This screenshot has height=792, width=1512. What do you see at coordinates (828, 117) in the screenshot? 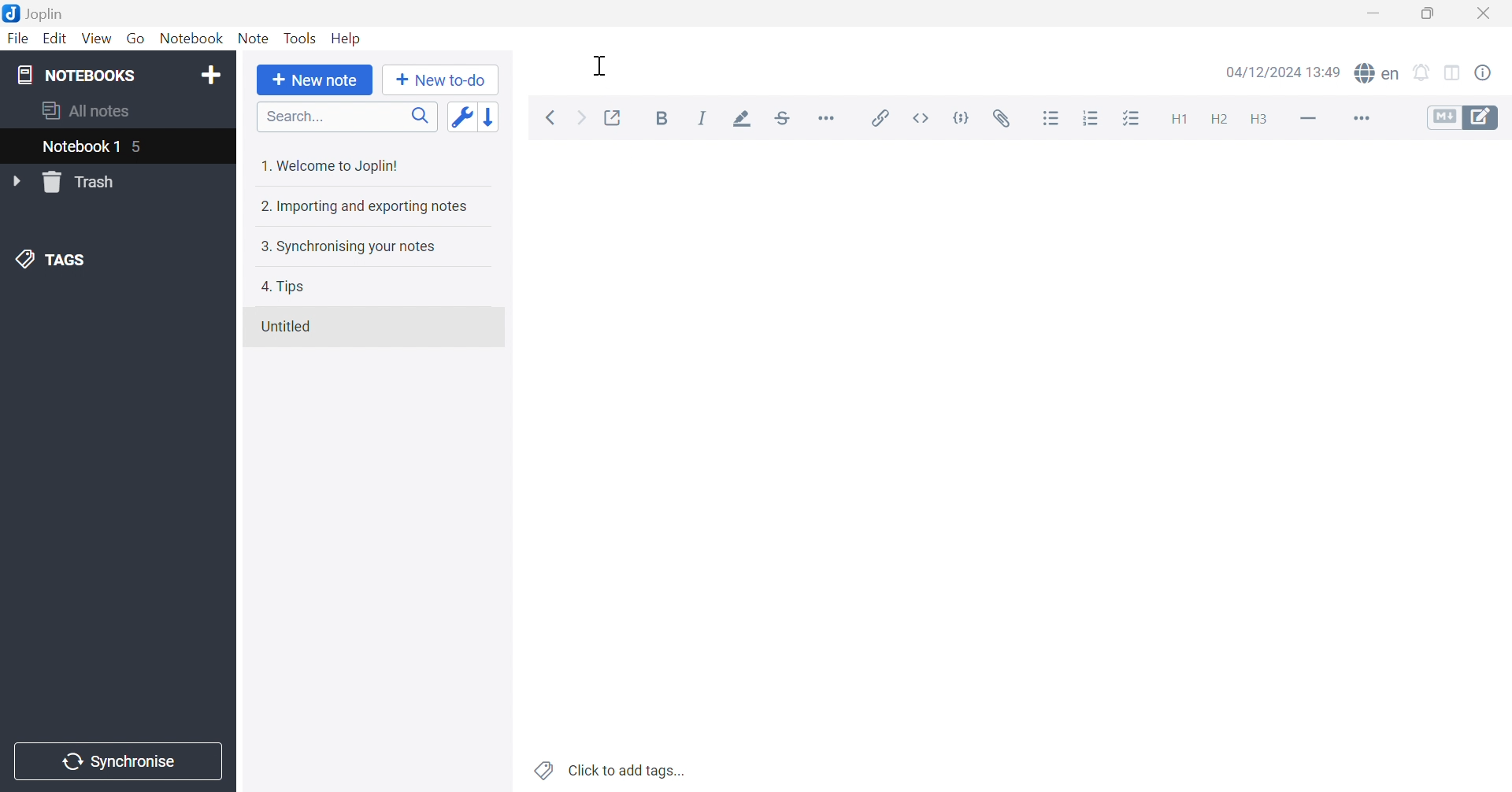
I see `Horizontal` at bounding box center [828, 117].